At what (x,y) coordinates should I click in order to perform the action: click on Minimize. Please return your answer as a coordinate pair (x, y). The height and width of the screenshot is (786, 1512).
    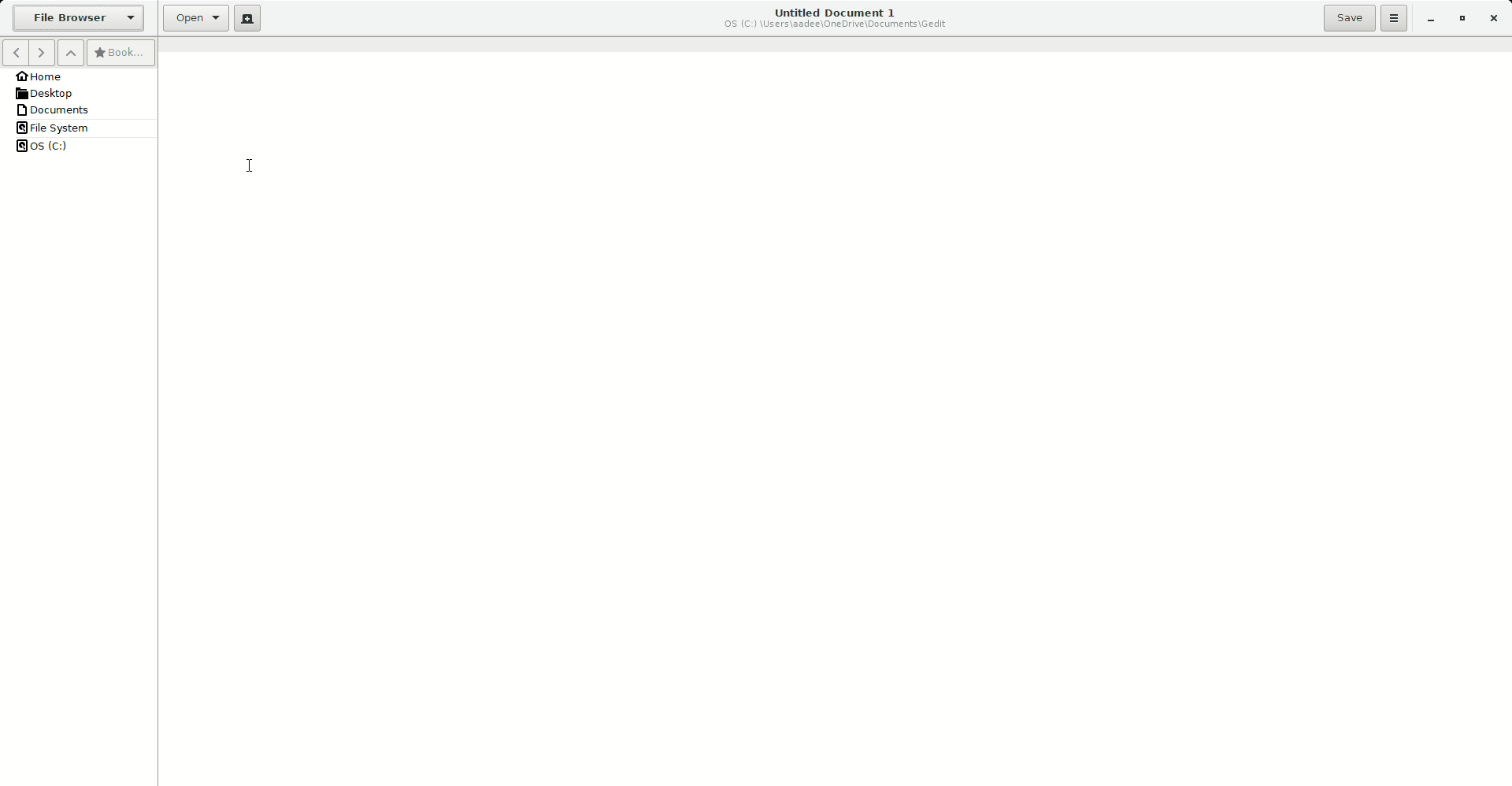
    Looking at the image, I should click on (1427, 20).